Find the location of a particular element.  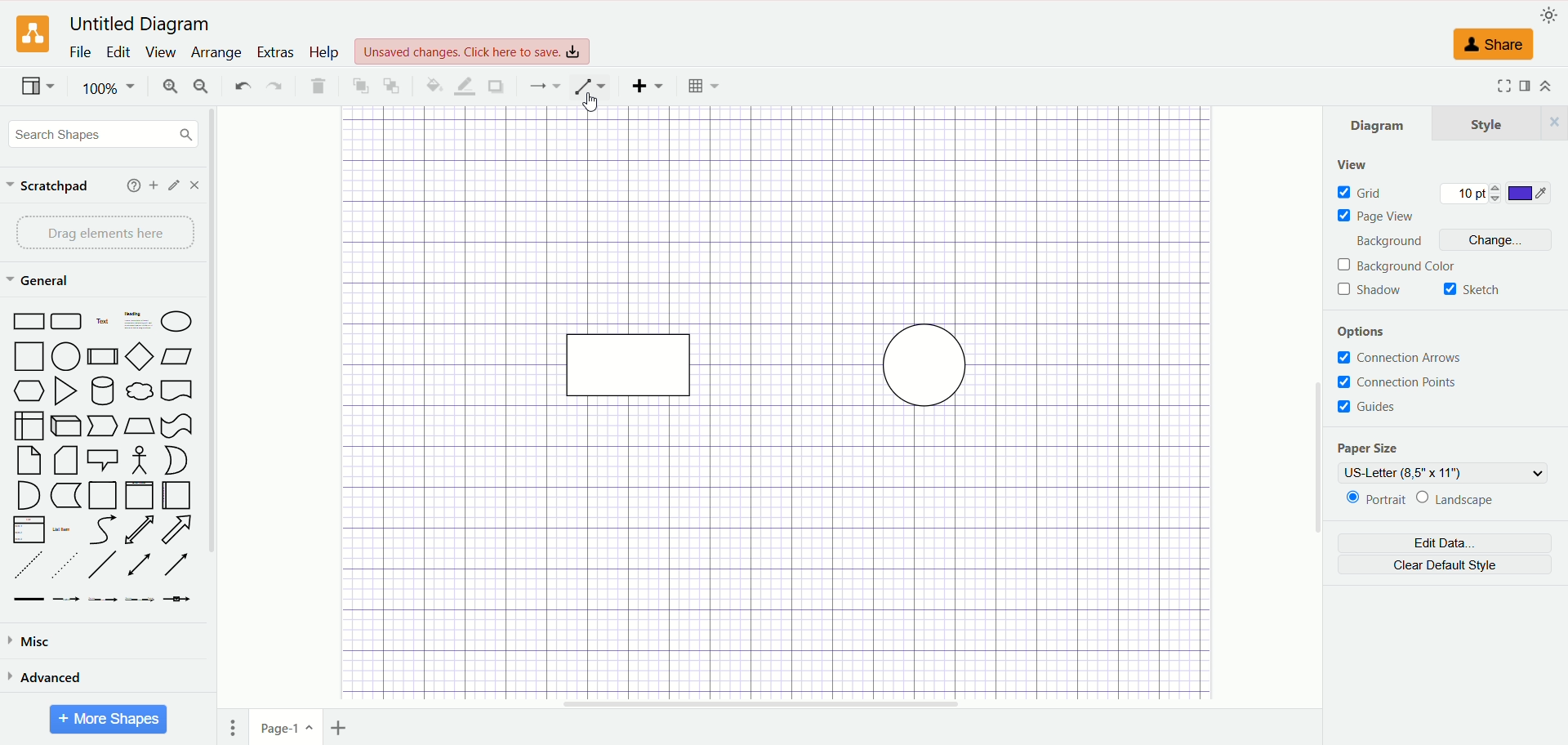

extras is located at coordinates (276, 51).